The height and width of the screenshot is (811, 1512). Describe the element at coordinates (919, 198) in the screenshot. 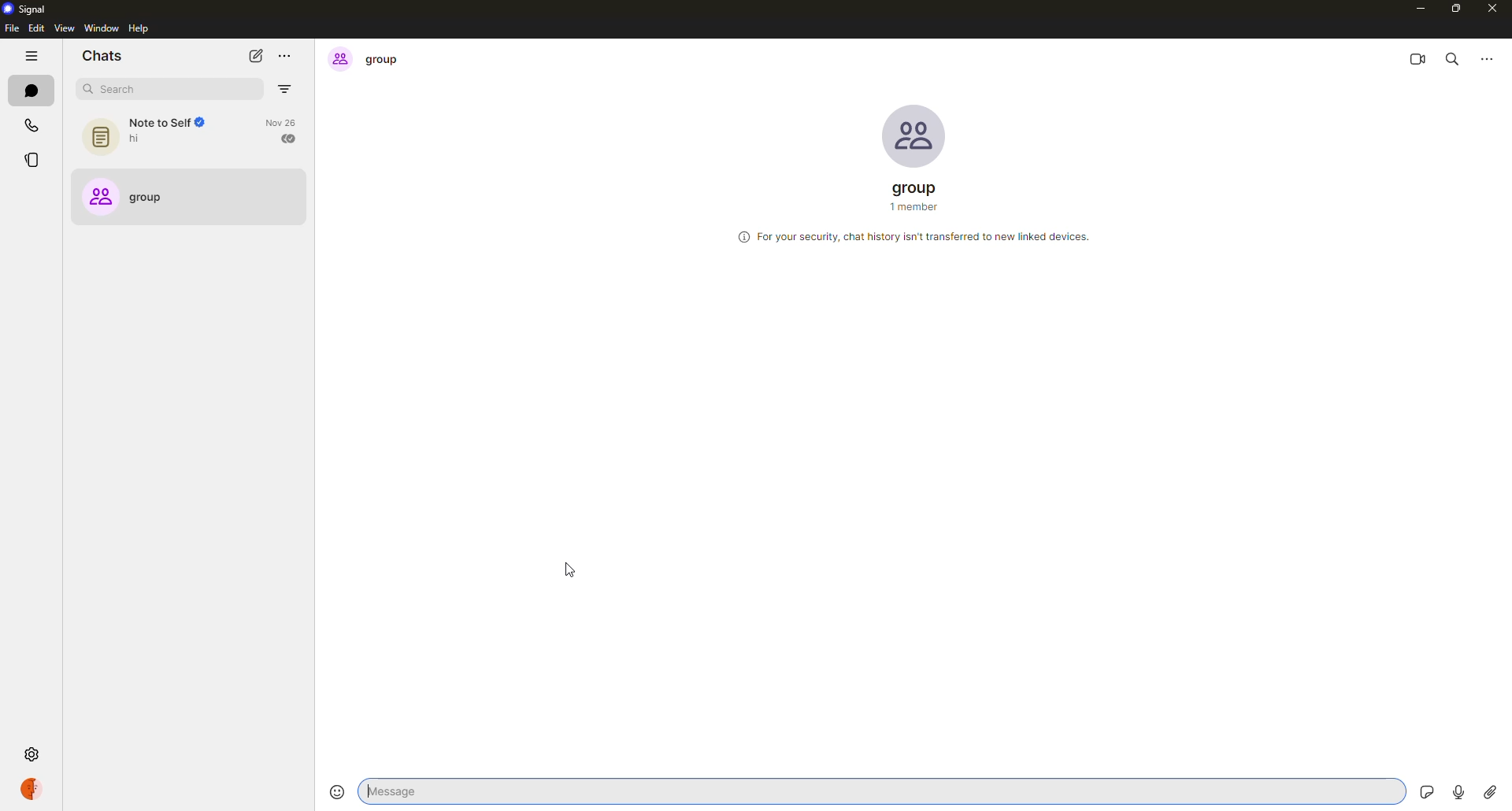

I see `group` at that location.